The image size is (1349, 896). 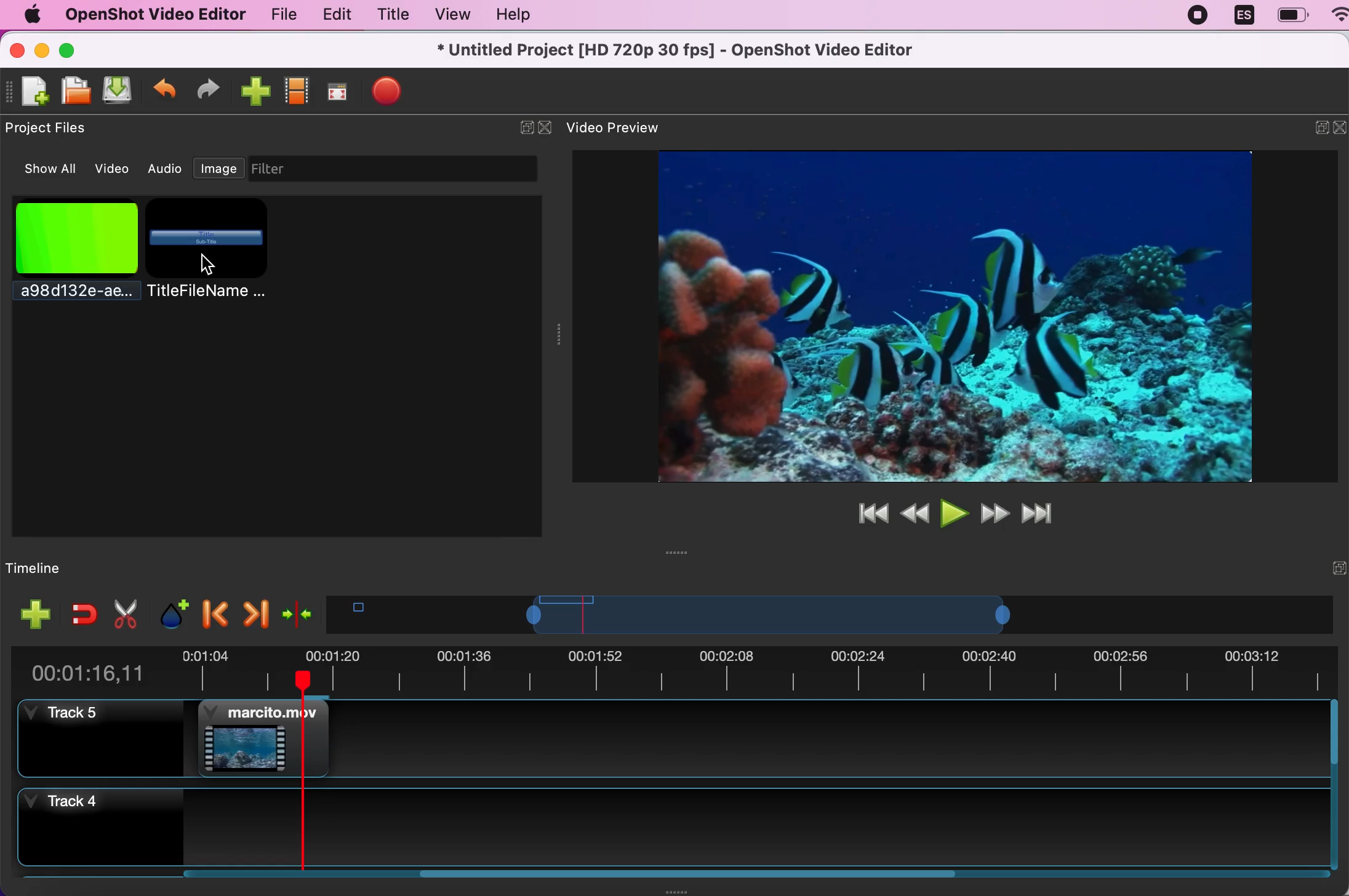 What do you see at coordinates (995, 513) in the screenshot?
I see `fast forward` at bounding box center [995, 513].